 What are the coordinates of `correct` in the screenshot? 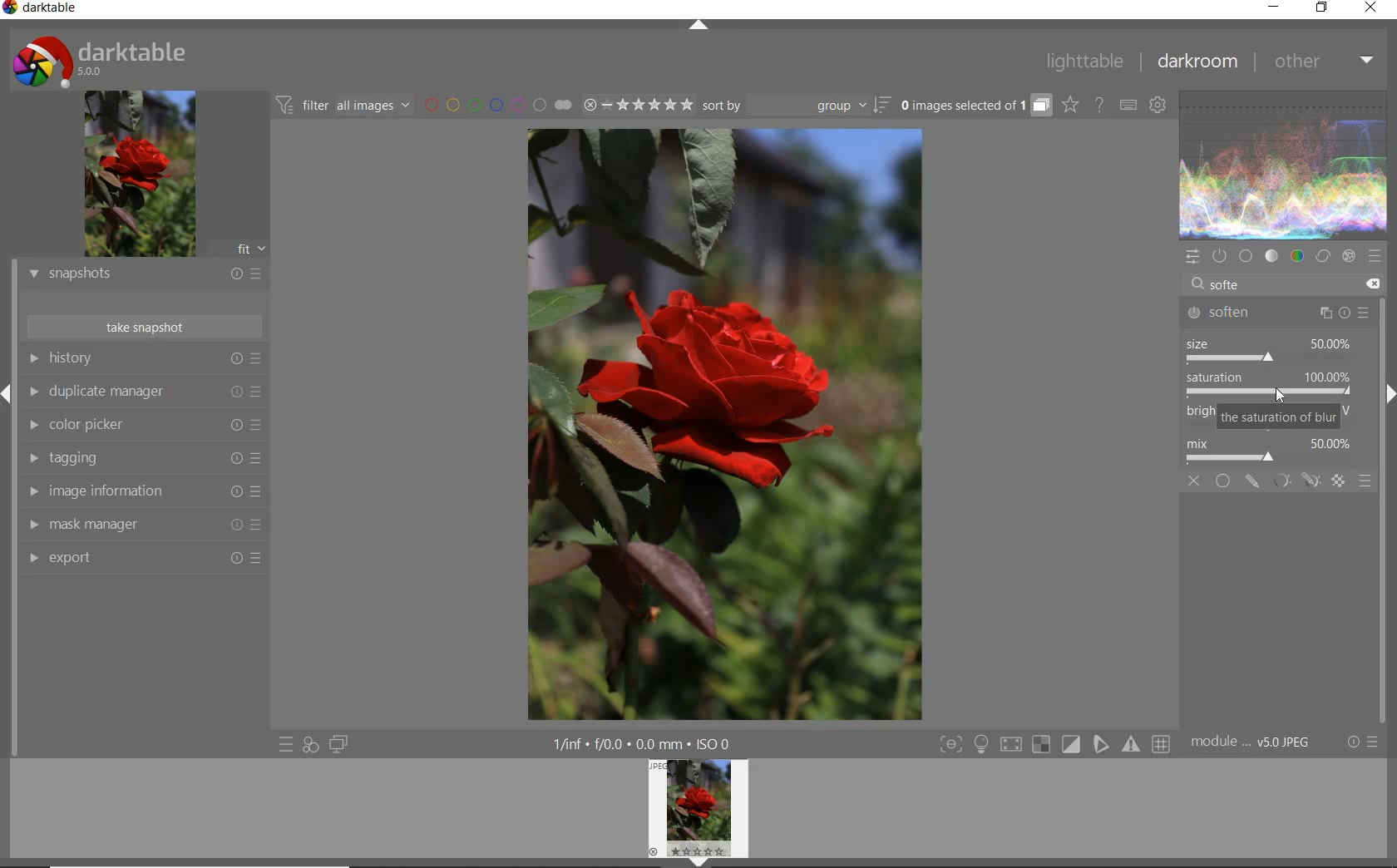 It's located at (1322, 257).